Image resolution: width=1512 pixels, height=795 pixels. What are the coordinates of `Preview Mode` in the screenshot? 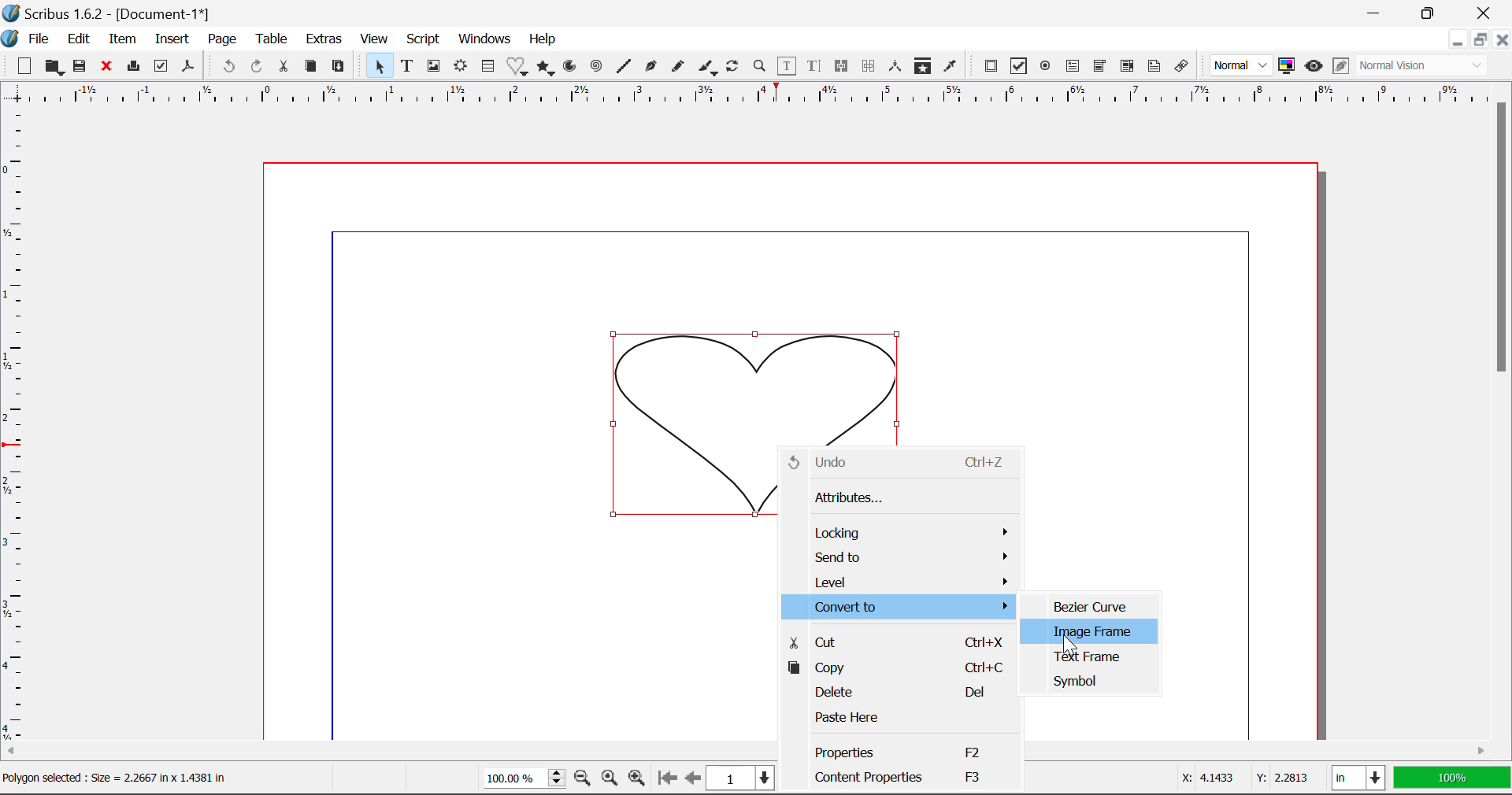 It's located at (1314, 68).